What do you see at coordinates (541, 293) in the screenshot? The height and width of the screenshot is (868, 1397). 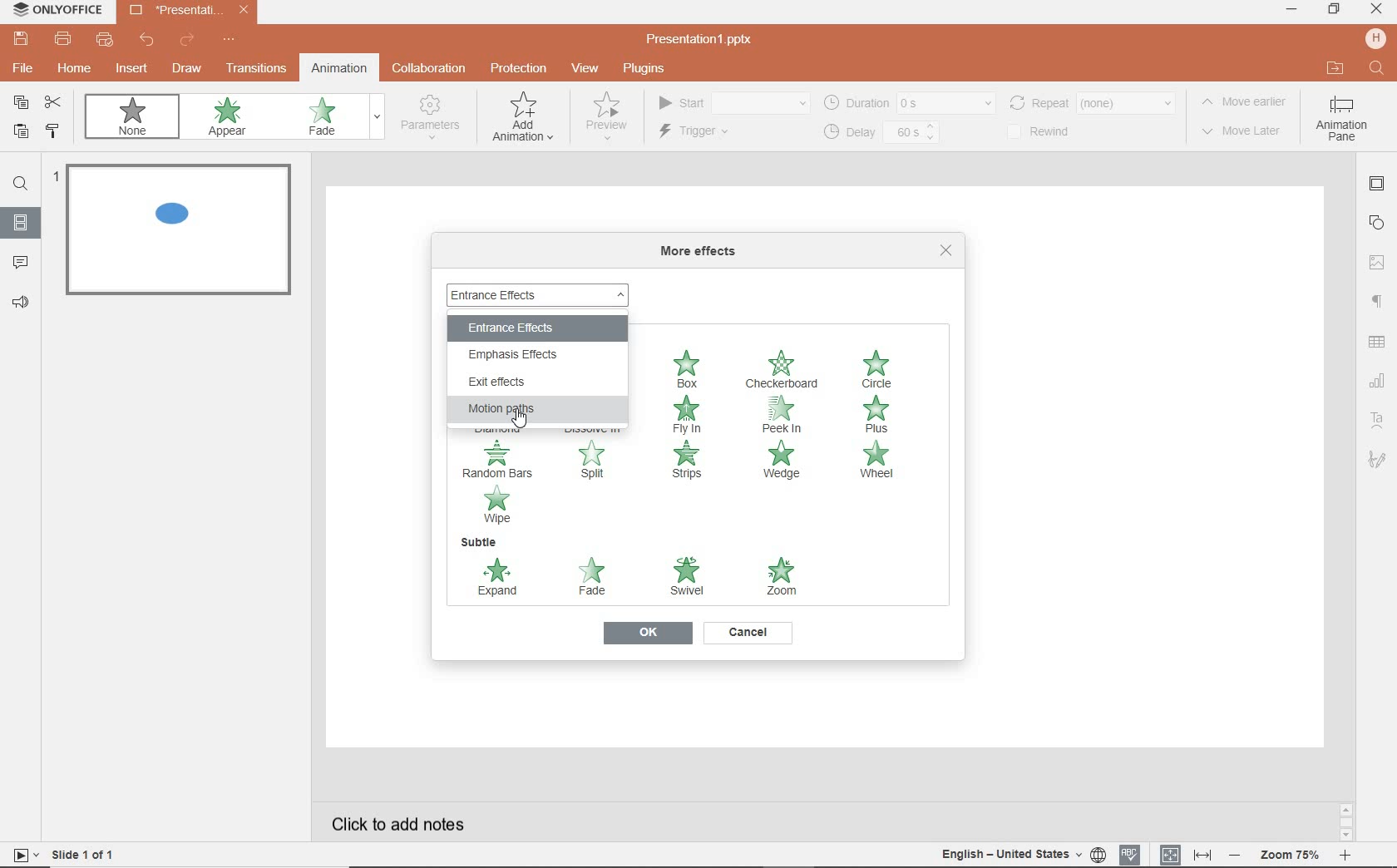 I see `ENTRANCE EFFECT` at bounding box center [541, 293].